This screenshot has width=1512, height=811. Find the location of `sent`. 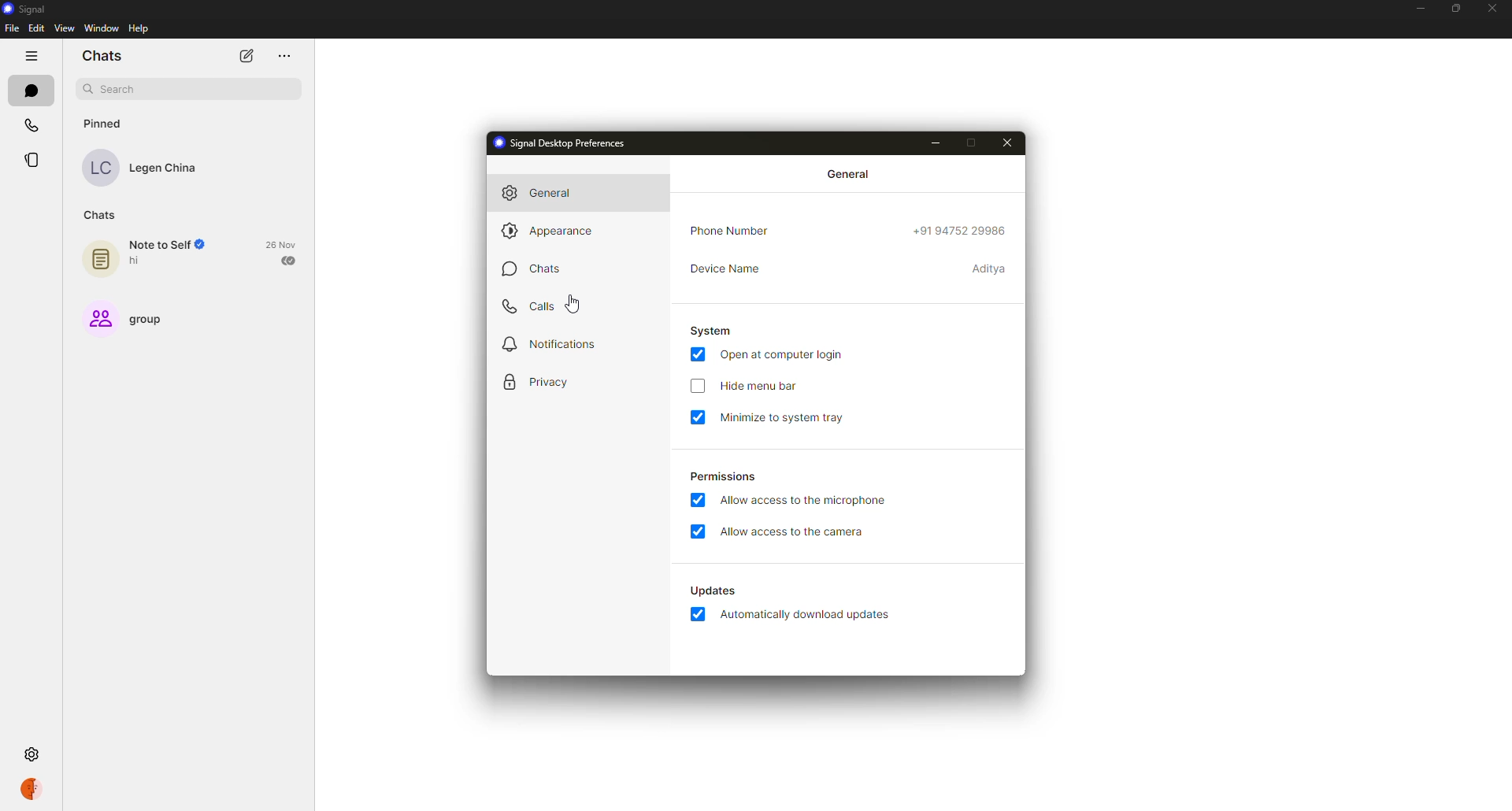

sent is located at coordinates (291, 260).